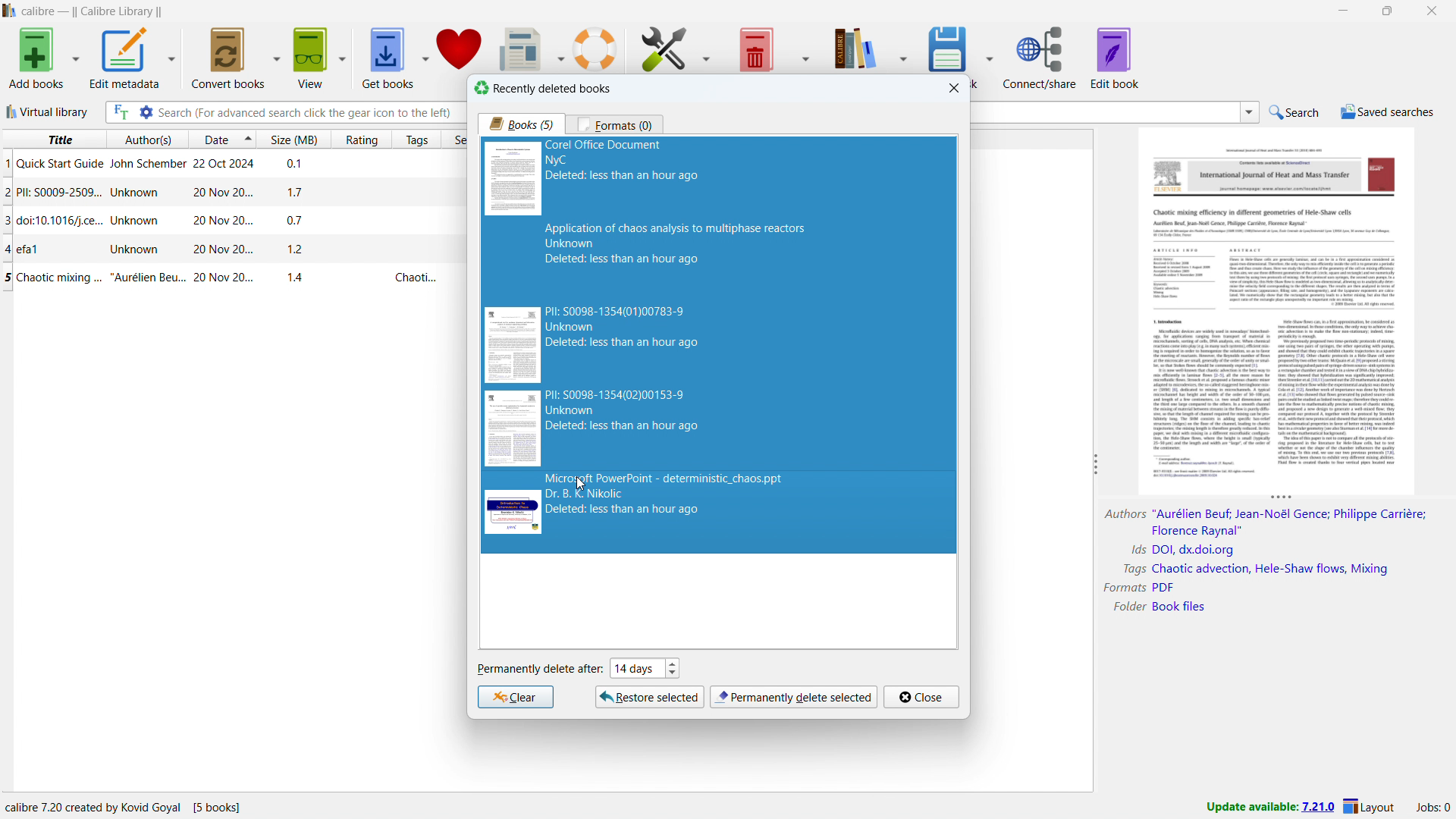 This screenshot has width=1456, height=819. I want to click on double click to open book details window, so click(1279, 309).